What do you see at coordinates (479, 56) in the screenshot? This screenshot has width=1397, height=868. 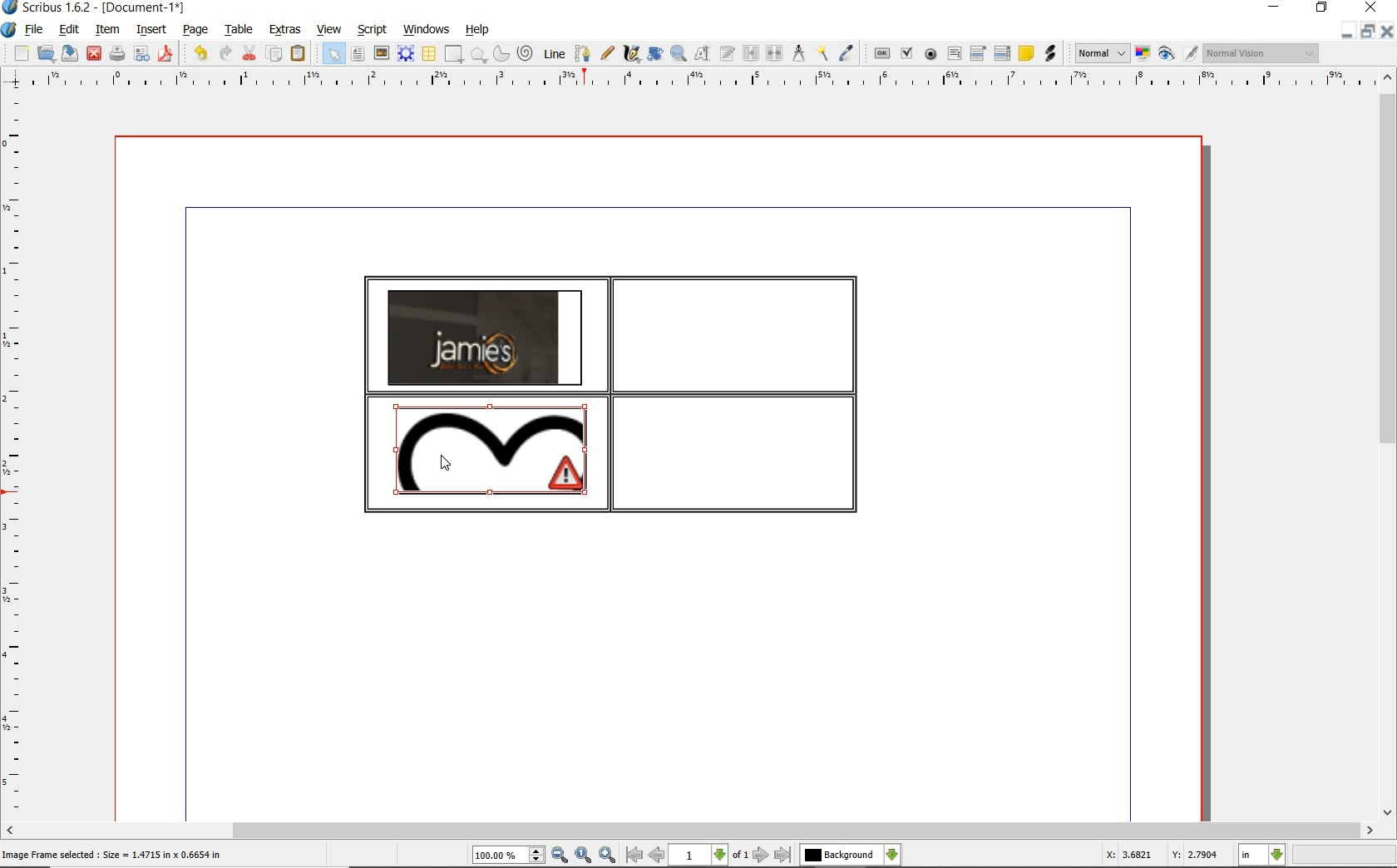 I see `shape` at bounding box center [479, 56].